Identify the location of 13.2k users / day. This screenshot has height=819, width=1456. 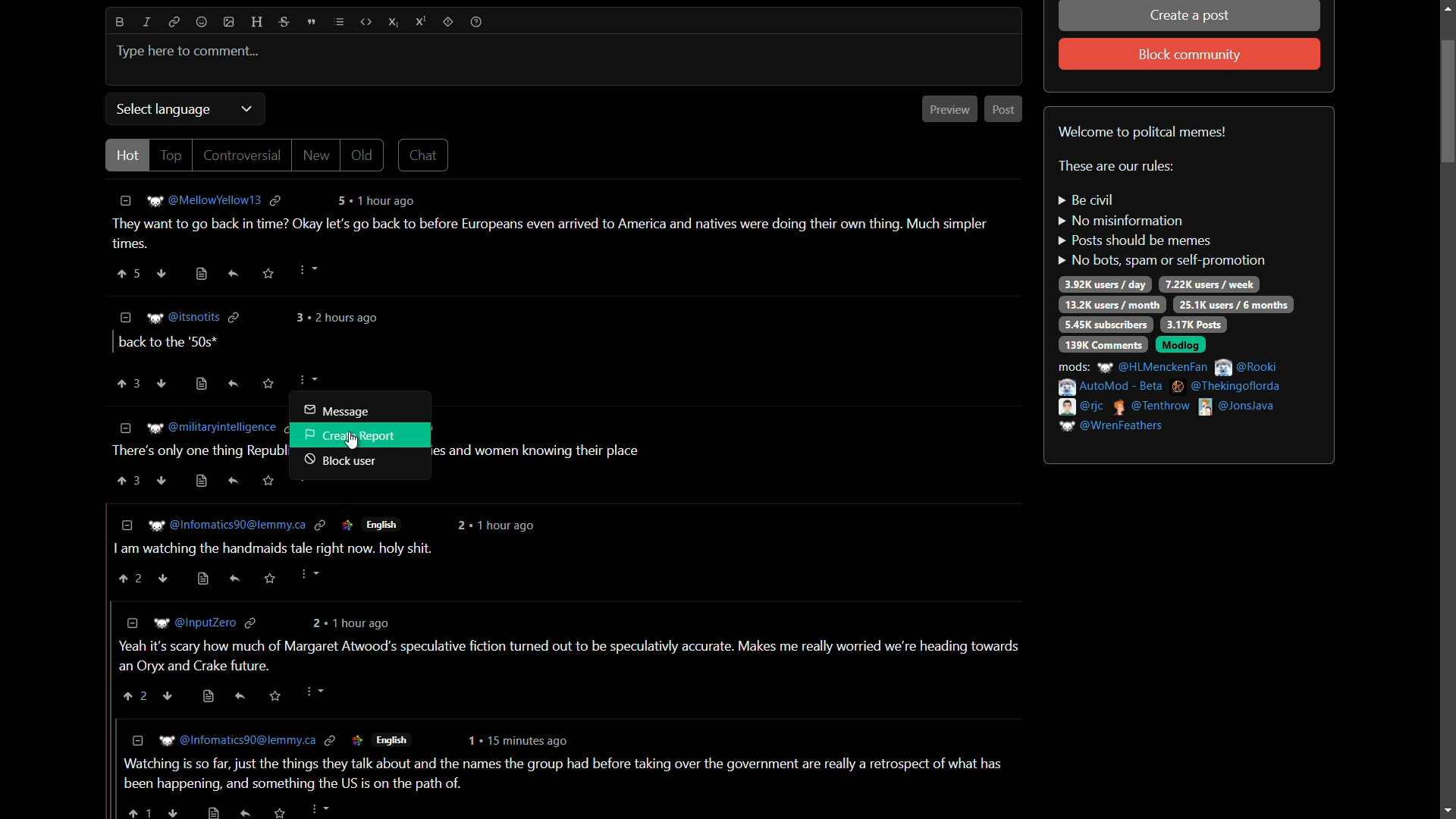
(1111, 304).